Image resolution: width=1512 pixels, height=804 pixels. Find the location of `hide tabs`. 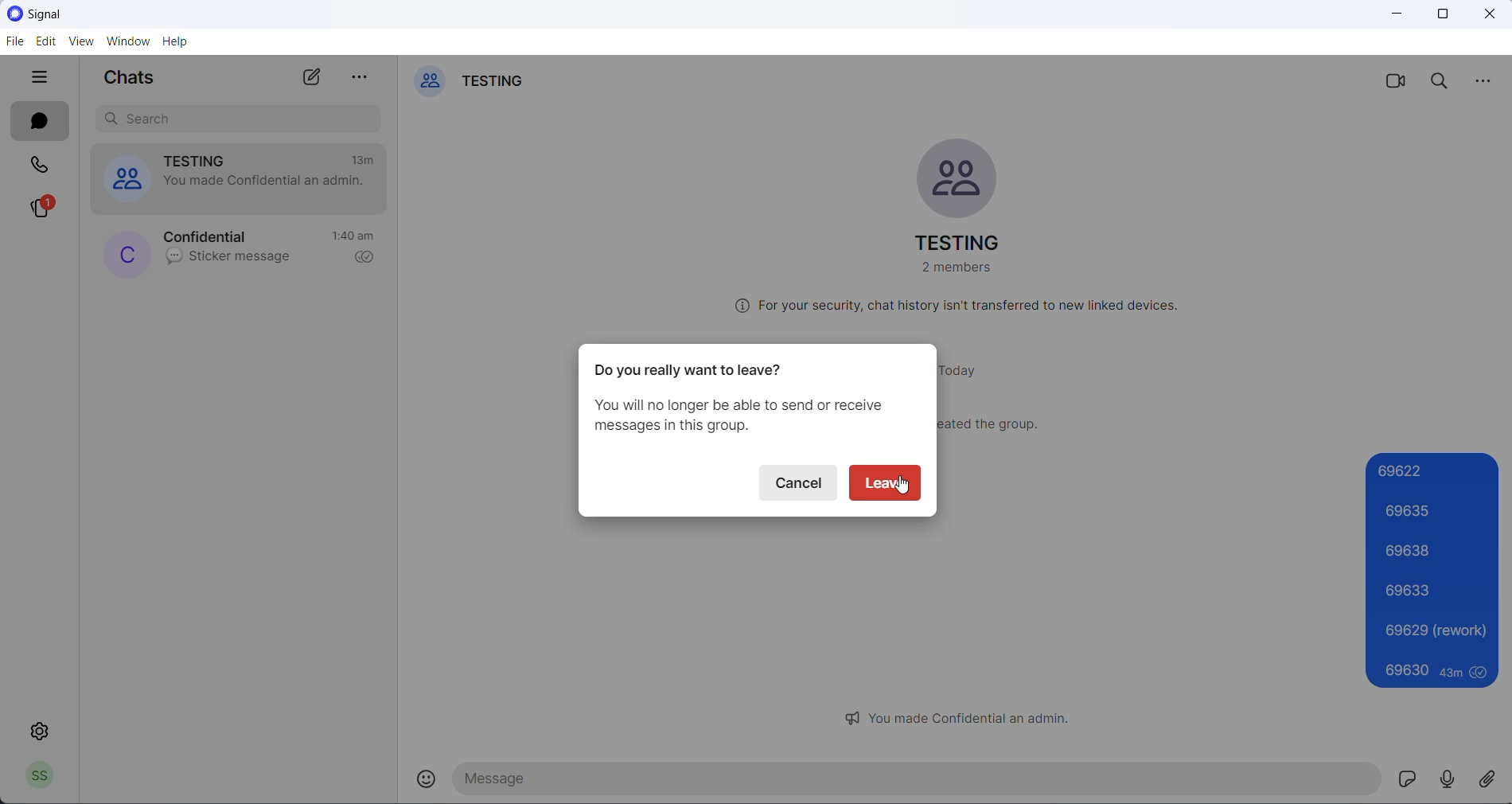

hide tabs is located at coordinates (43, 80).